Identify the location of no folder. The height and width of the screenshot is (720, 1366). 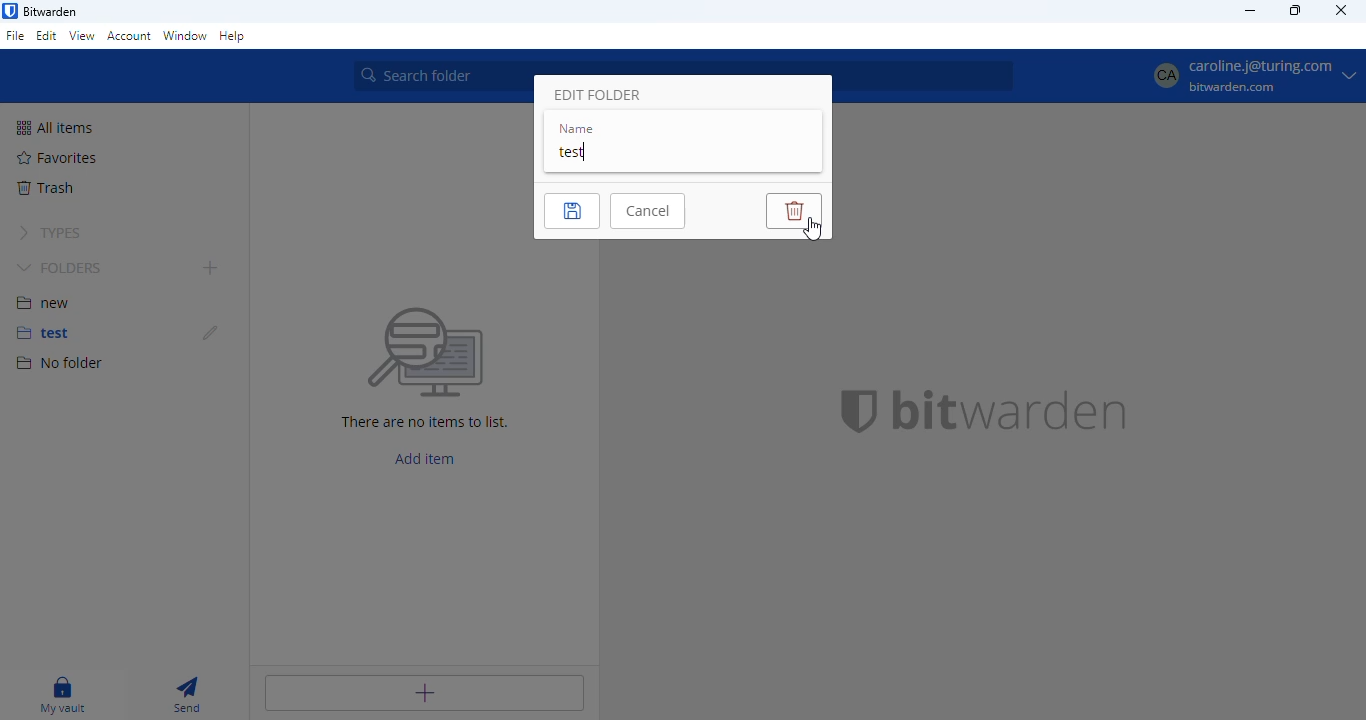
(60, 364).